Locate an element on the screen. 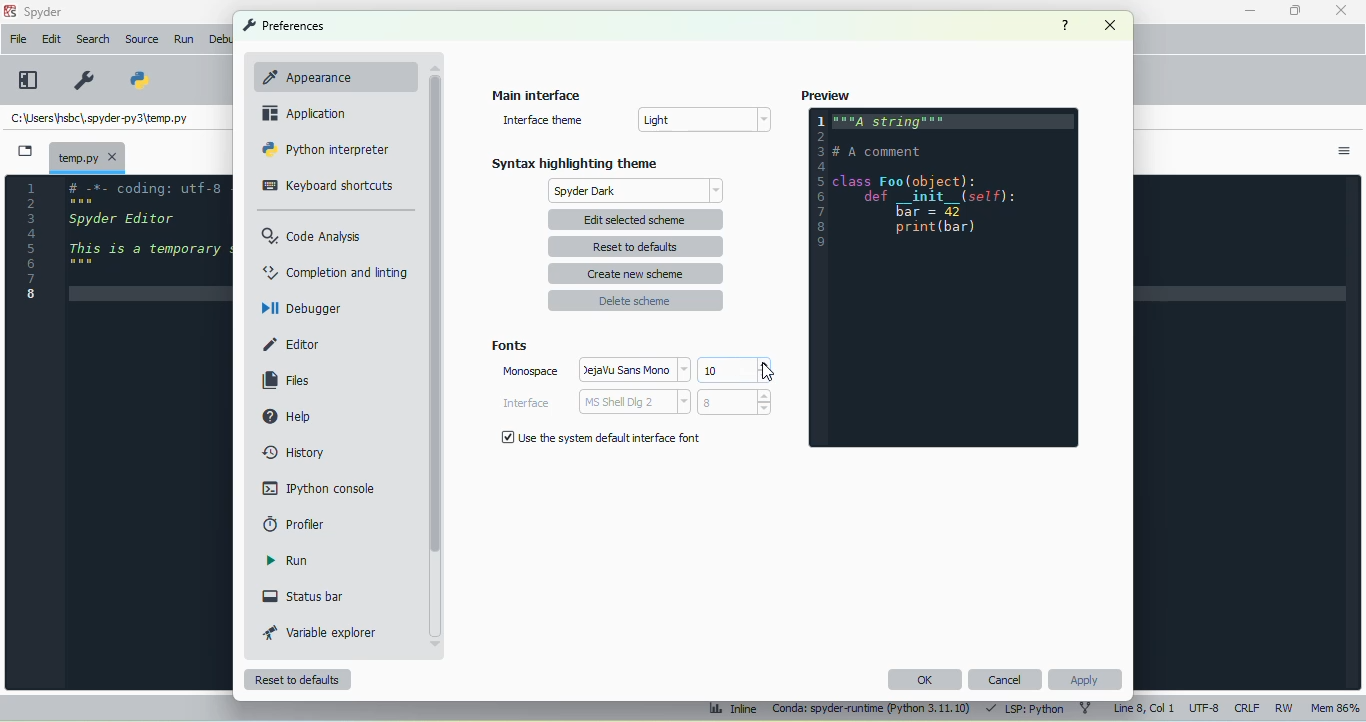 The image size is (1366, 722). browse tabs is located at coordinates (25, 151).